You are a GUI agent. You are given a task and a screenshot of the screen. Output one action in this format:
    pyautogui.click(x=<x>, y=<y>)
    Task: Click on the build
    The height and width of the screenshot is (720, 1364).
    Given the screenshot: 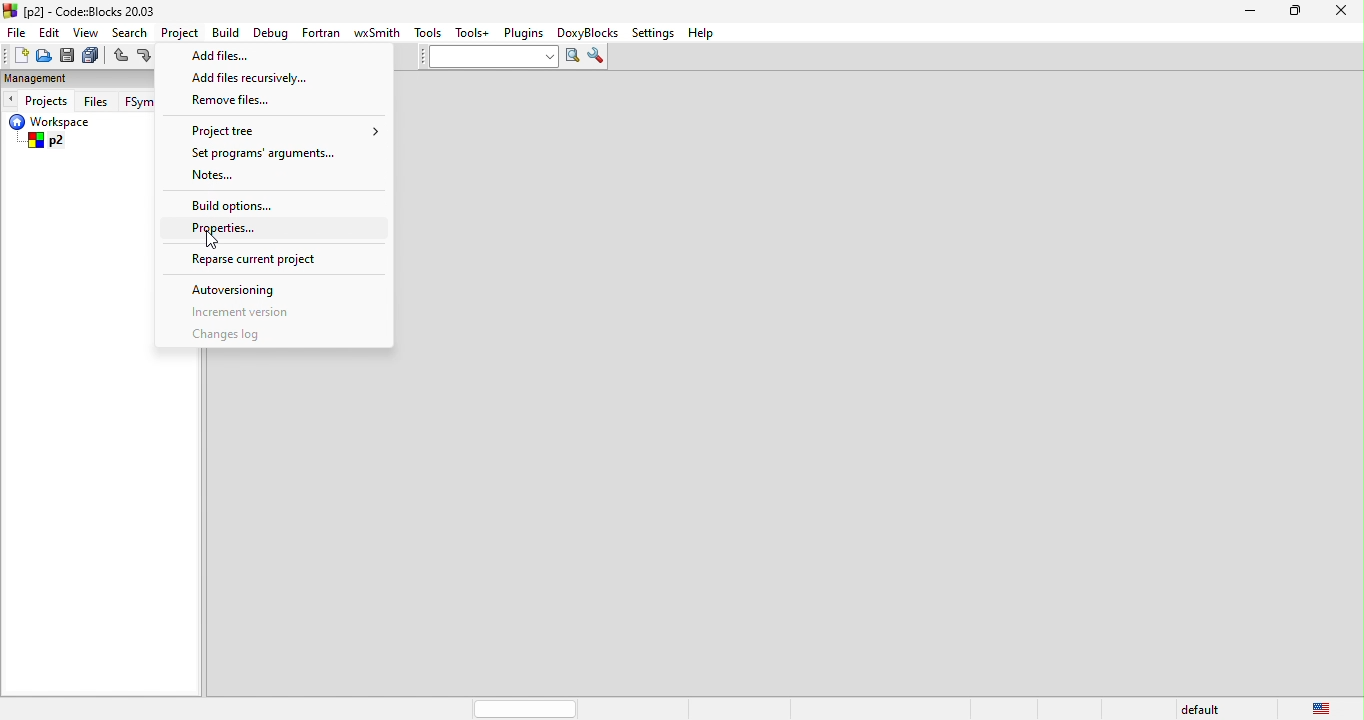 What is the action you would take?
    pyautogui.click(x=231, y=34)
    